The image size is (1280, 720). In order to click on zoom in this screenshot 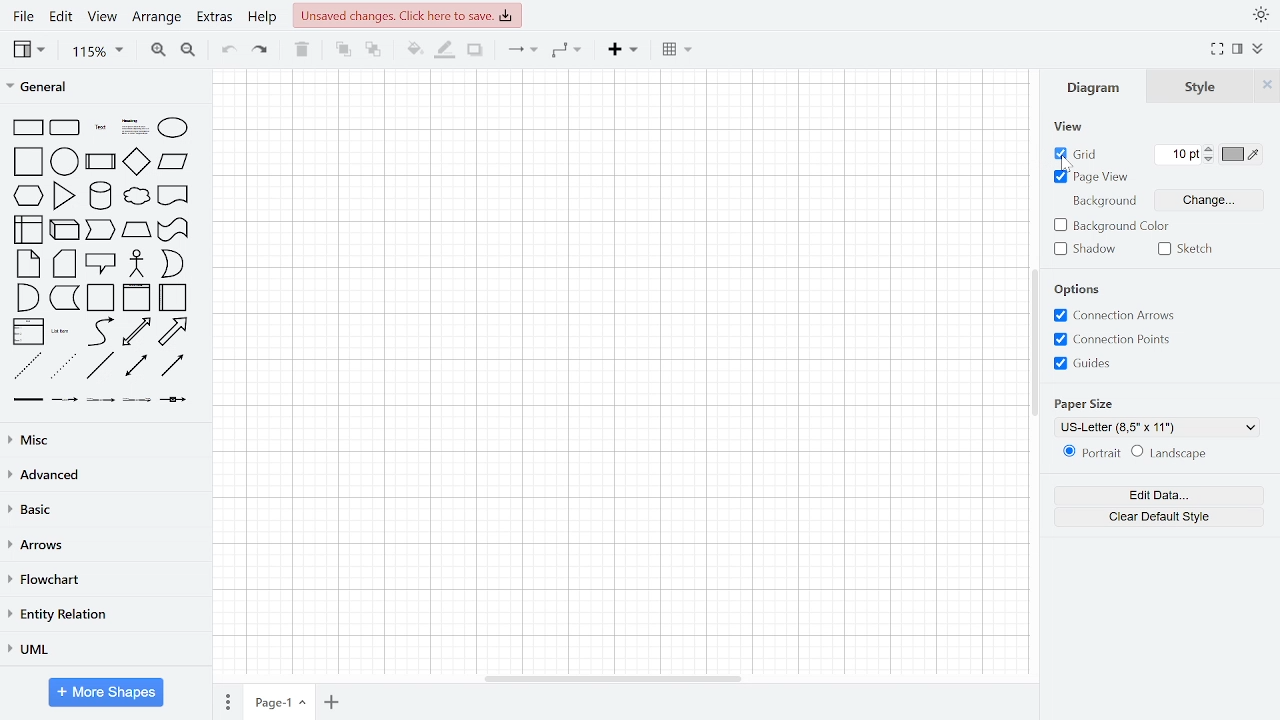, I will do `click(97, 52)`.